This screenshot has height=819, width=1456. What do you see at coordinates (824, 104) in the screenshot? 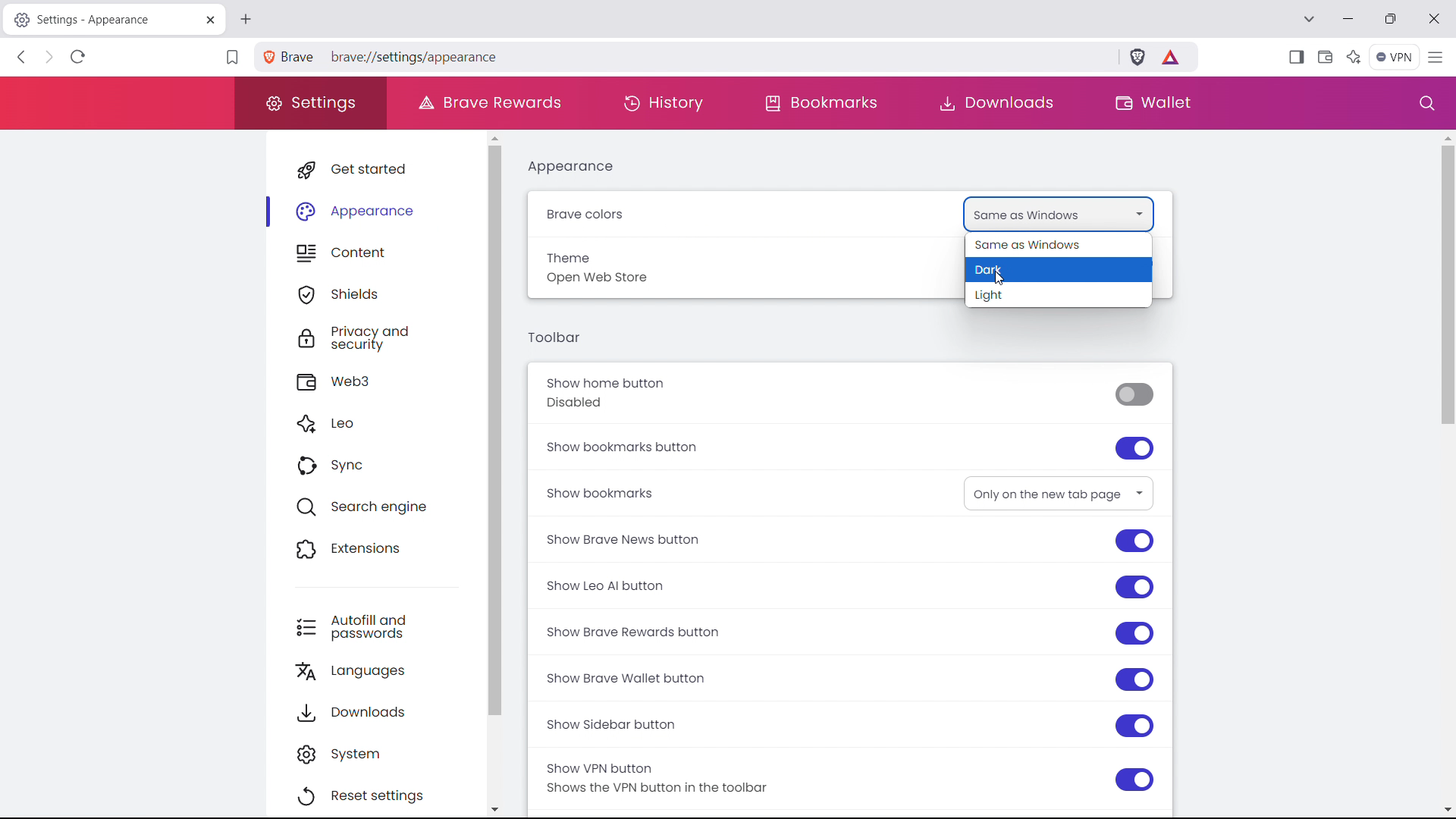
I see `bookmarks` at bounding box center [824, 104].